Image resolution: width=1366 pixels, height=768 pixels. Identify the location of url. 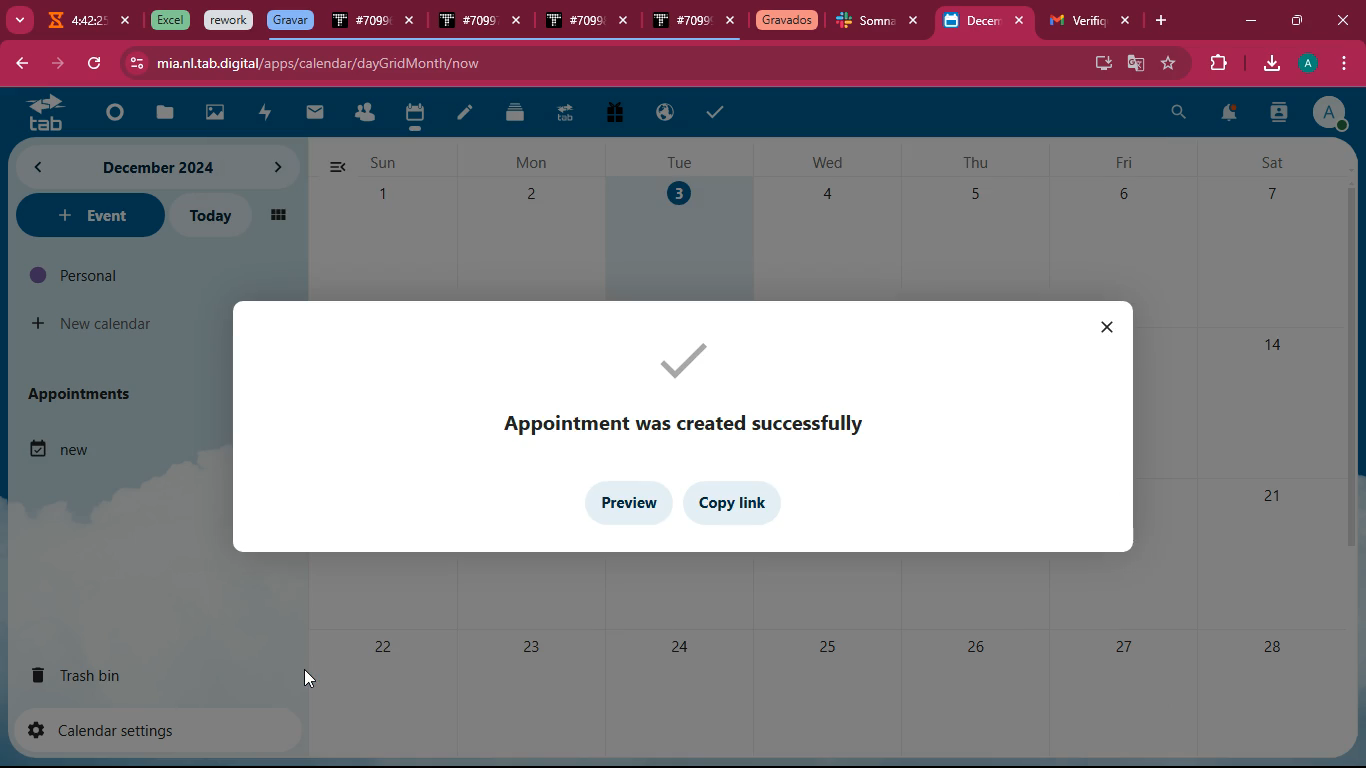
(318, 63).